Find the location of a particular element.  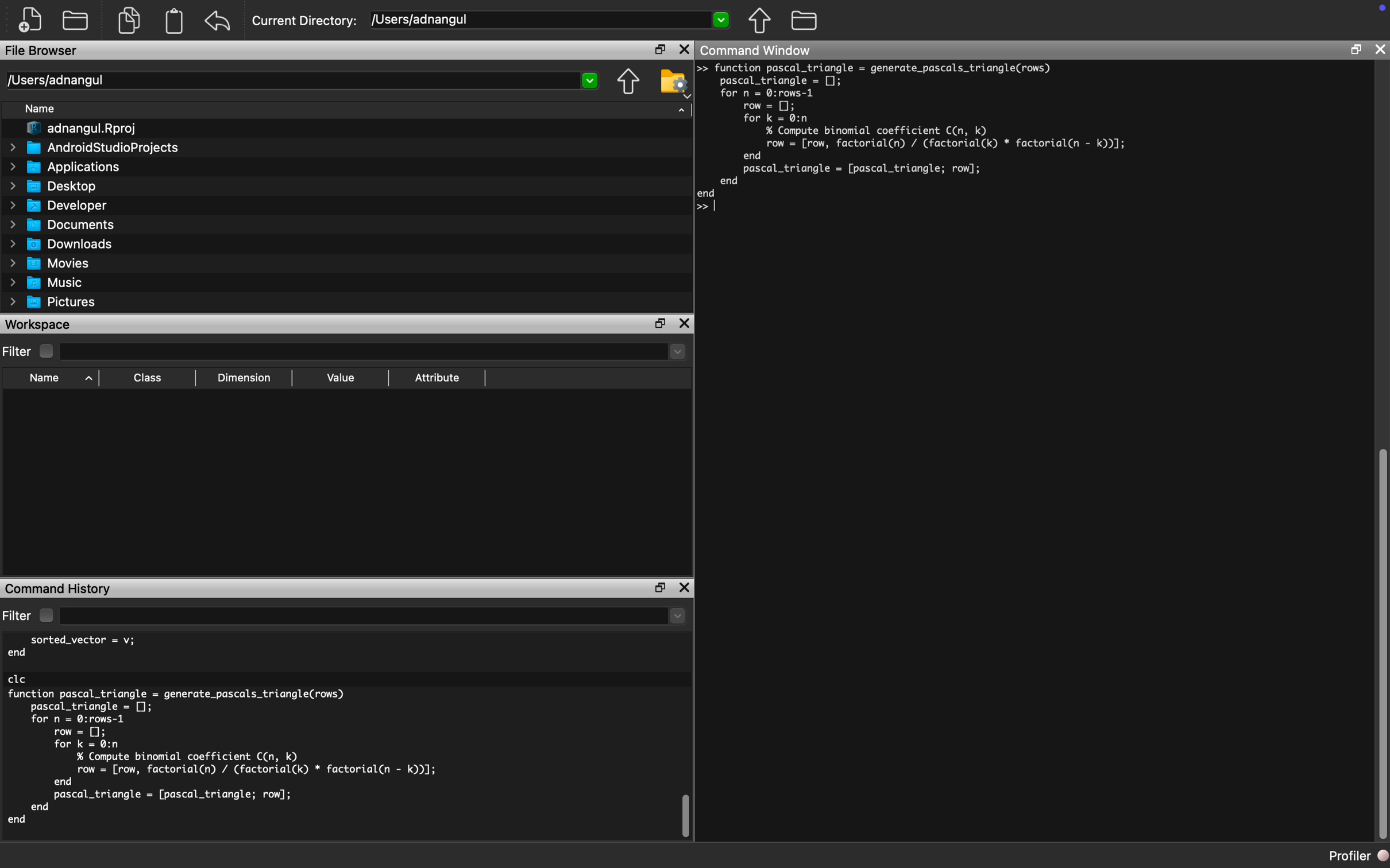

Copy is located at coordinates (129, 19).